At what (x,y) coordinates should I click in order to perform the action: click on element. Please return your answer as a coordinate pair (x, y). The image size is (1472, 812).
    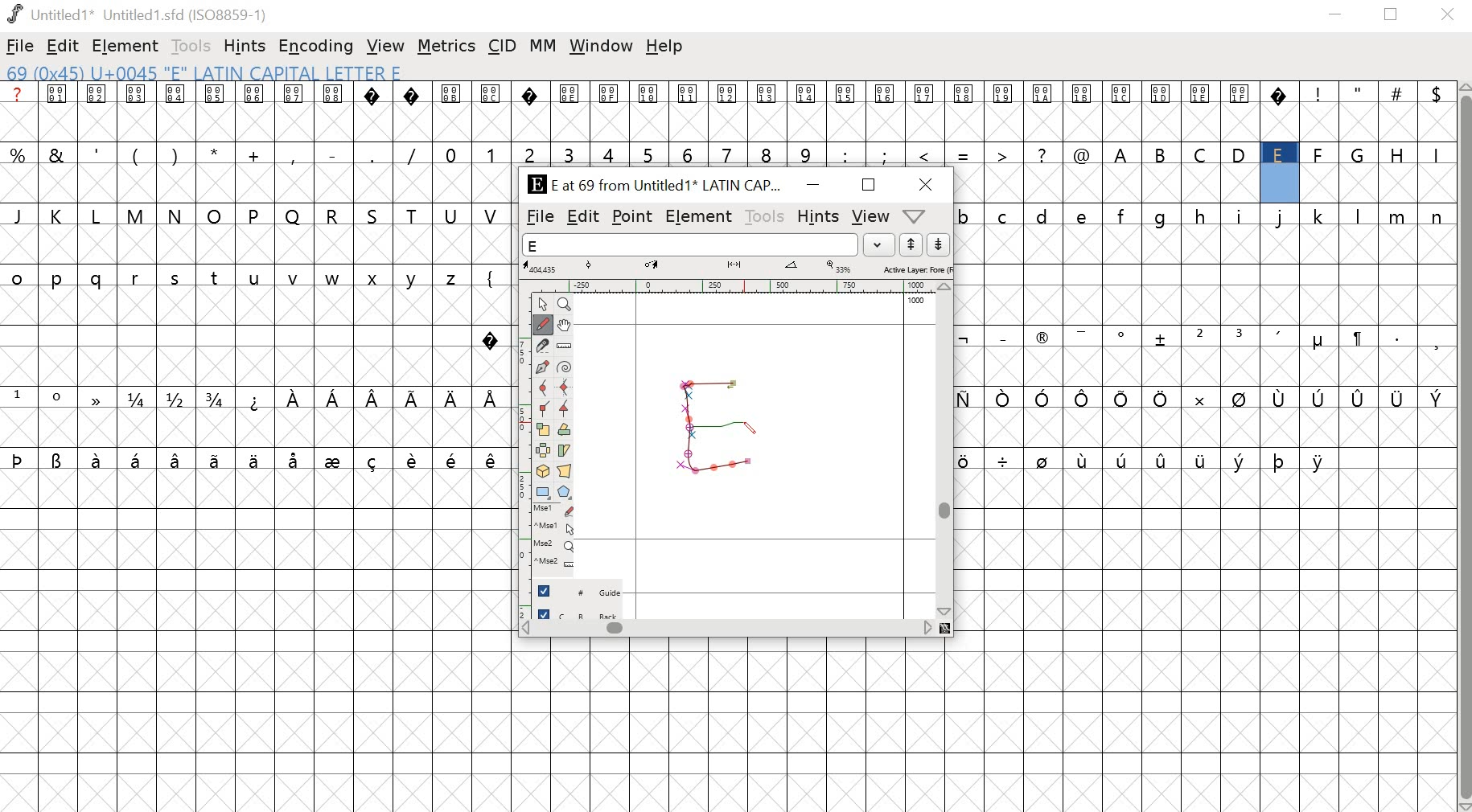
    Looking at the image, I should click on (122, 45).